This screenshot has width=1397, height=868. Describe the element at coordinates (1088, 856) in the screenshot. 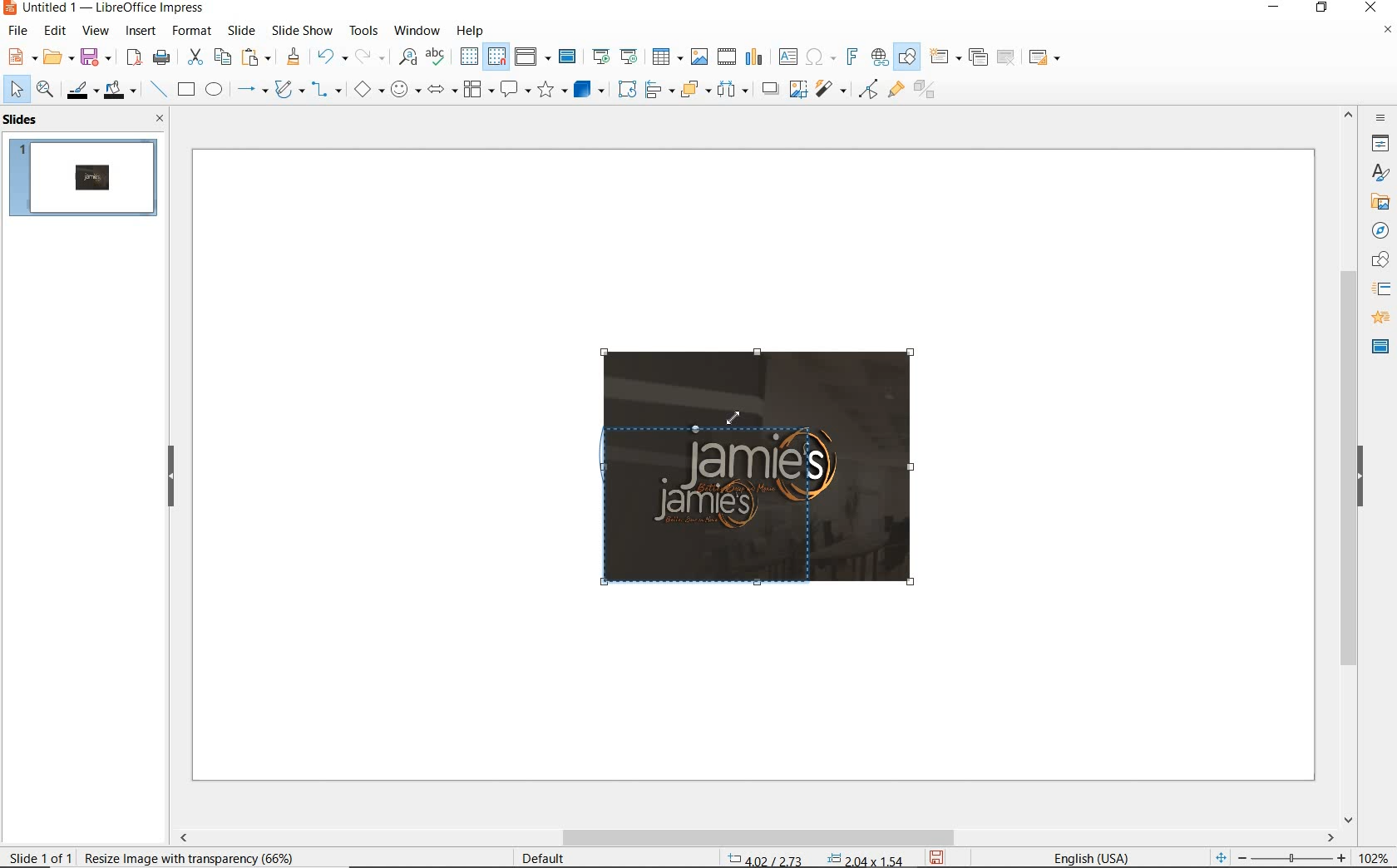

I see `Text language` at that location.